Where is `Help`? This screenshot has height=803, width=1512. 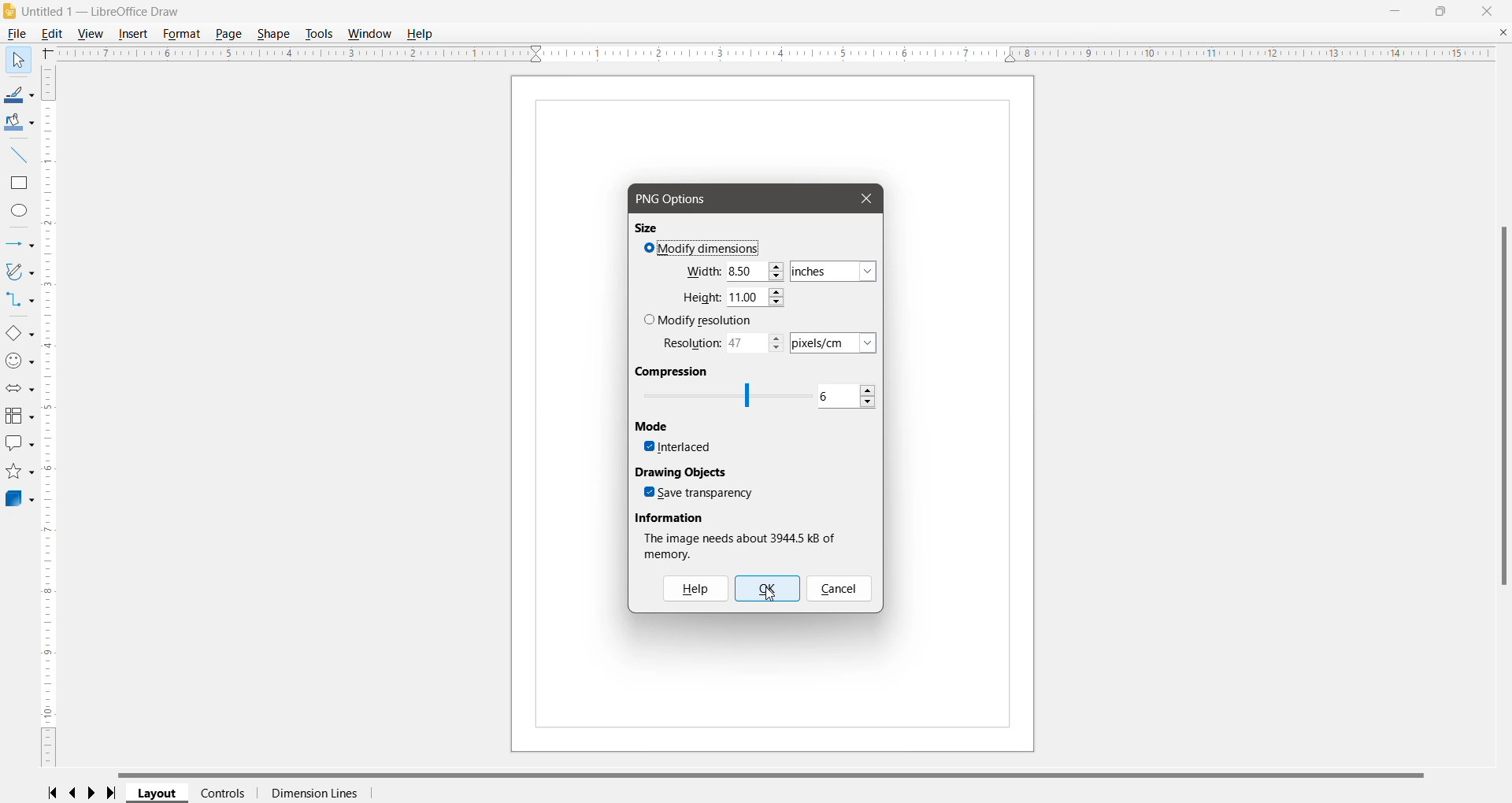 Help is located at coordinates (423, 34).